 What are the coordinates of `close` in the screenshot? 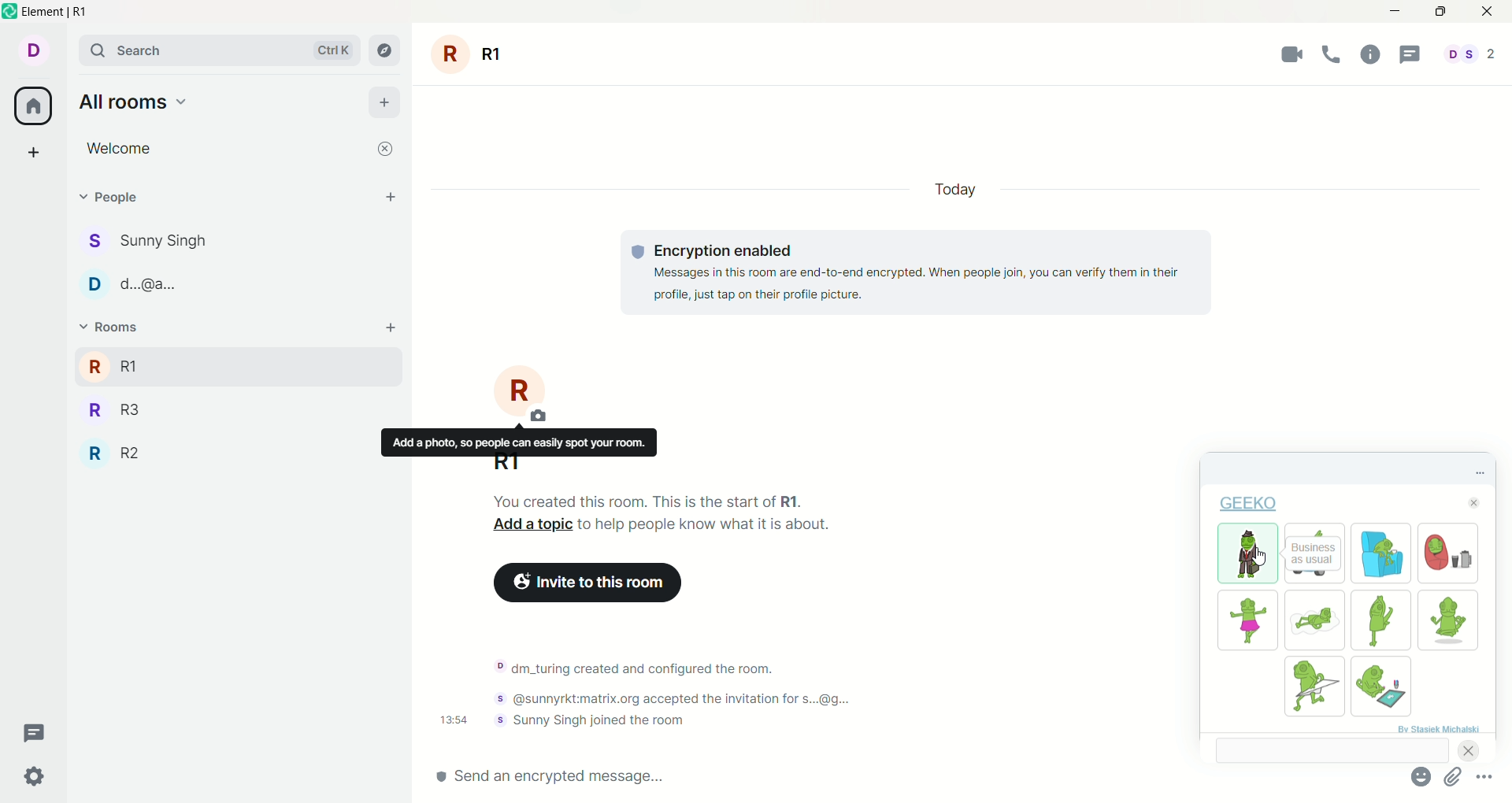 It's located at (1468, 750).